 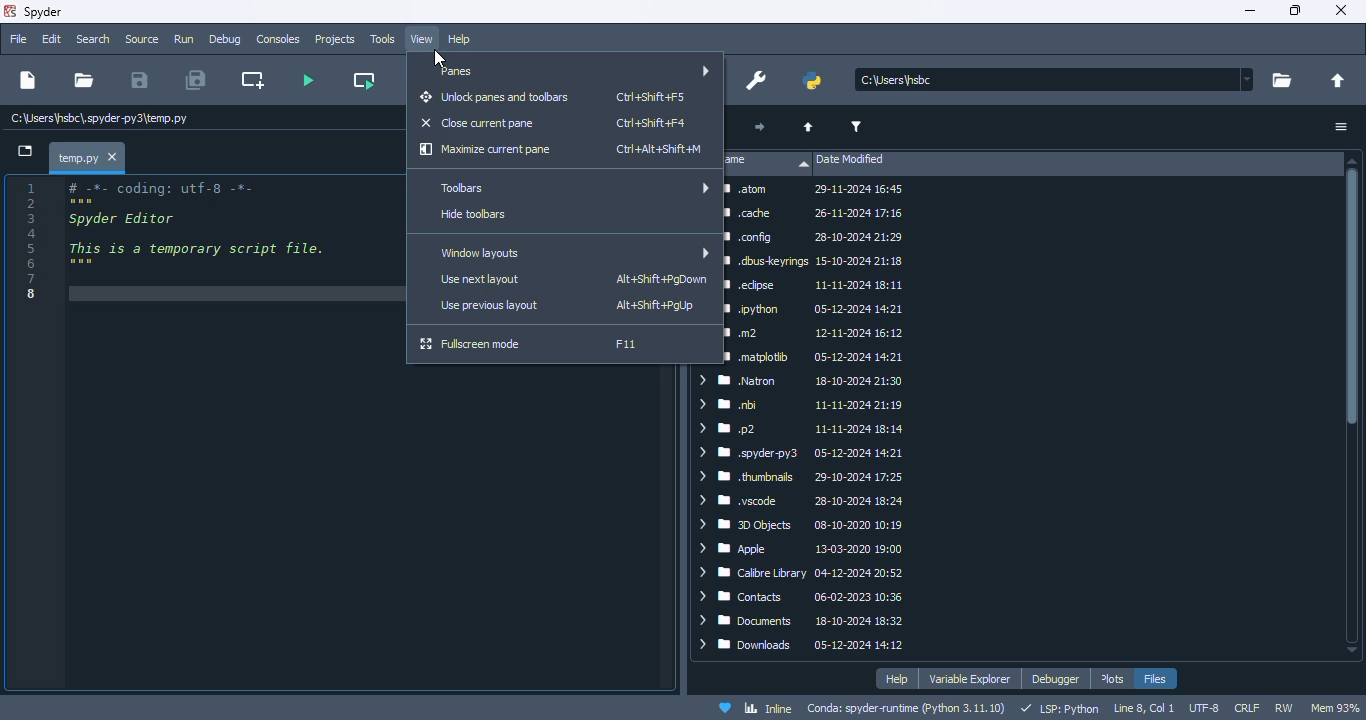 I want to click on logo, so click(x=9, y=11).